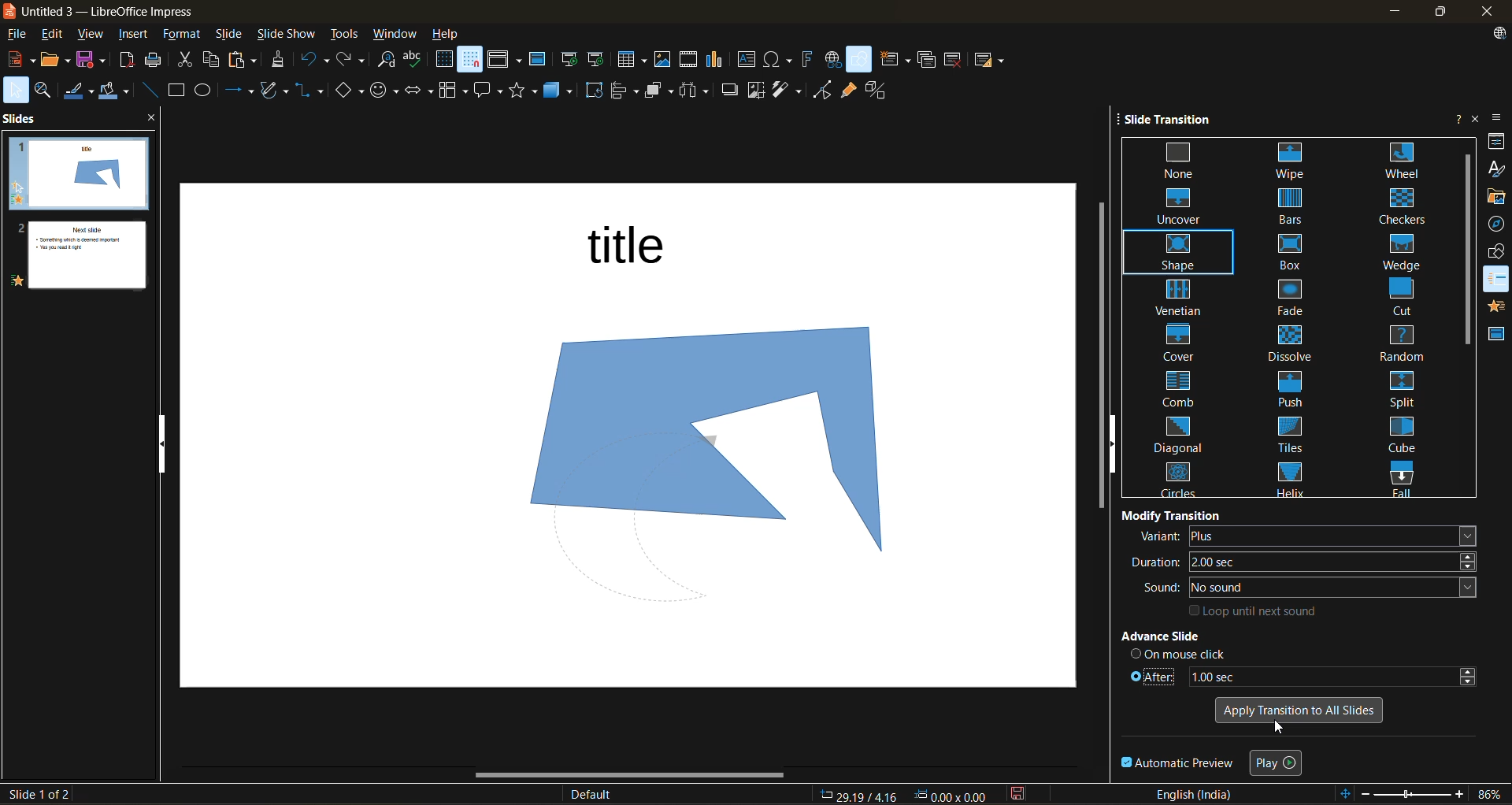  What do you see at coordinates (1498, 254) in the screenshot?
I see `shapes` at bounding box center [1498, 254].